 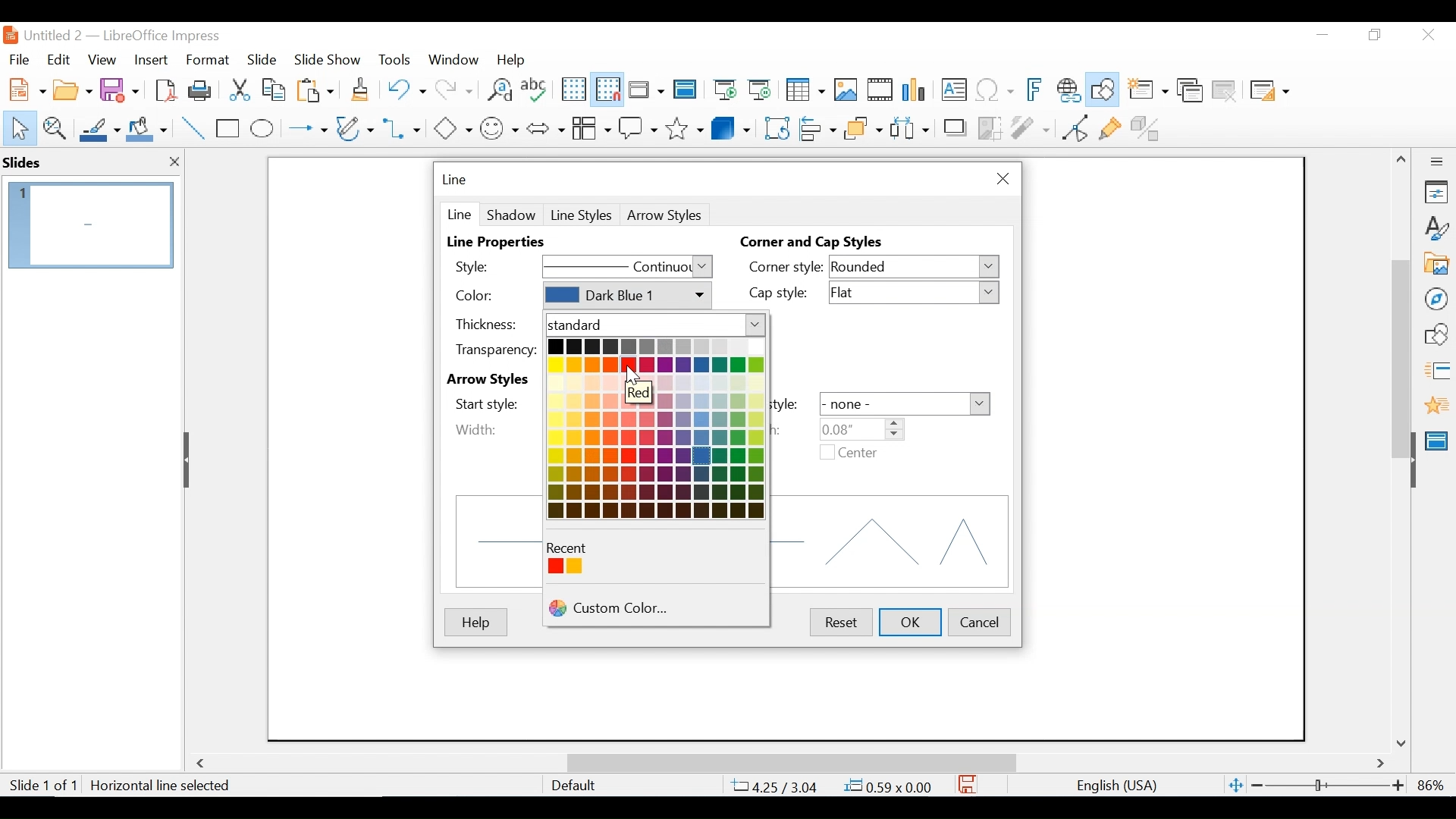 I want to click on Galler, so click(x=1436, y=265).